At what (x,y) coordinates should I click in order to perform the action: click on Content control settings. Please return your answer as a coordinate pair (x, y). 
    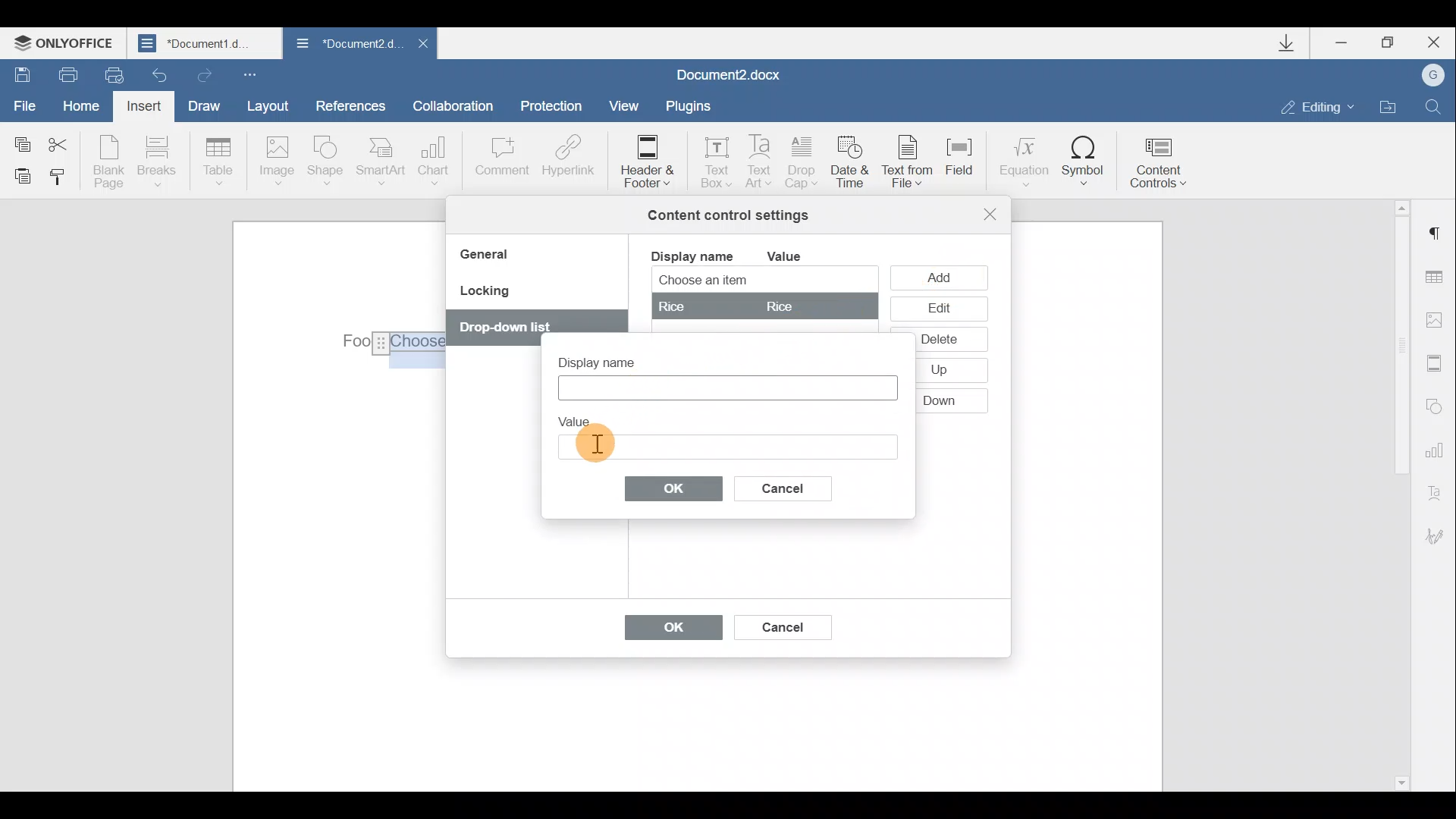
    Looking at the image, I should click on (728, 215).